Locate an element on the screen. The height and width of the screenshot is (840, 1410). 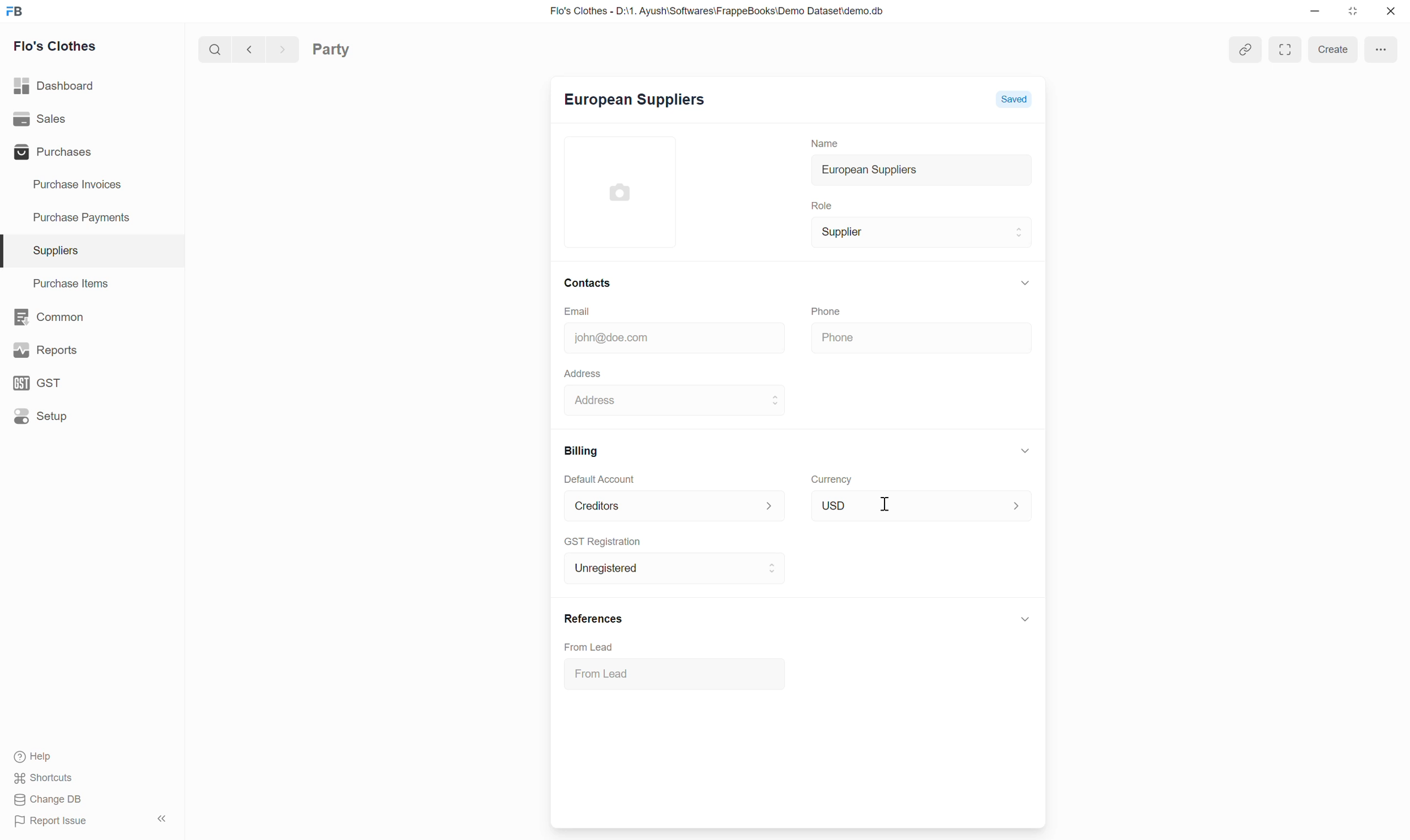
European Suppliers is located at coordinates (630, 102).